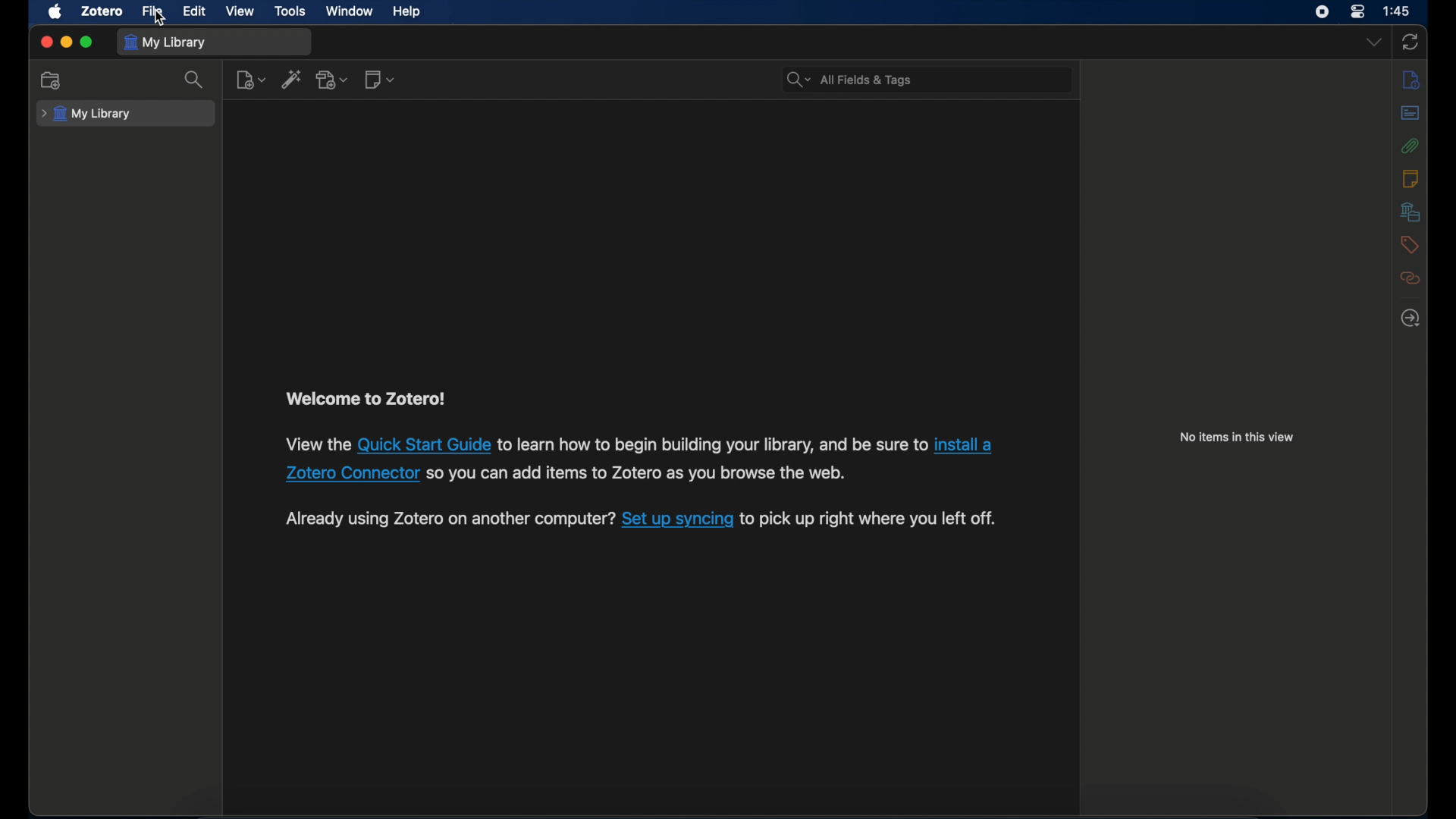  Describe the element at coordinates (406, 11) in the screenshot. I see `help` at that location.